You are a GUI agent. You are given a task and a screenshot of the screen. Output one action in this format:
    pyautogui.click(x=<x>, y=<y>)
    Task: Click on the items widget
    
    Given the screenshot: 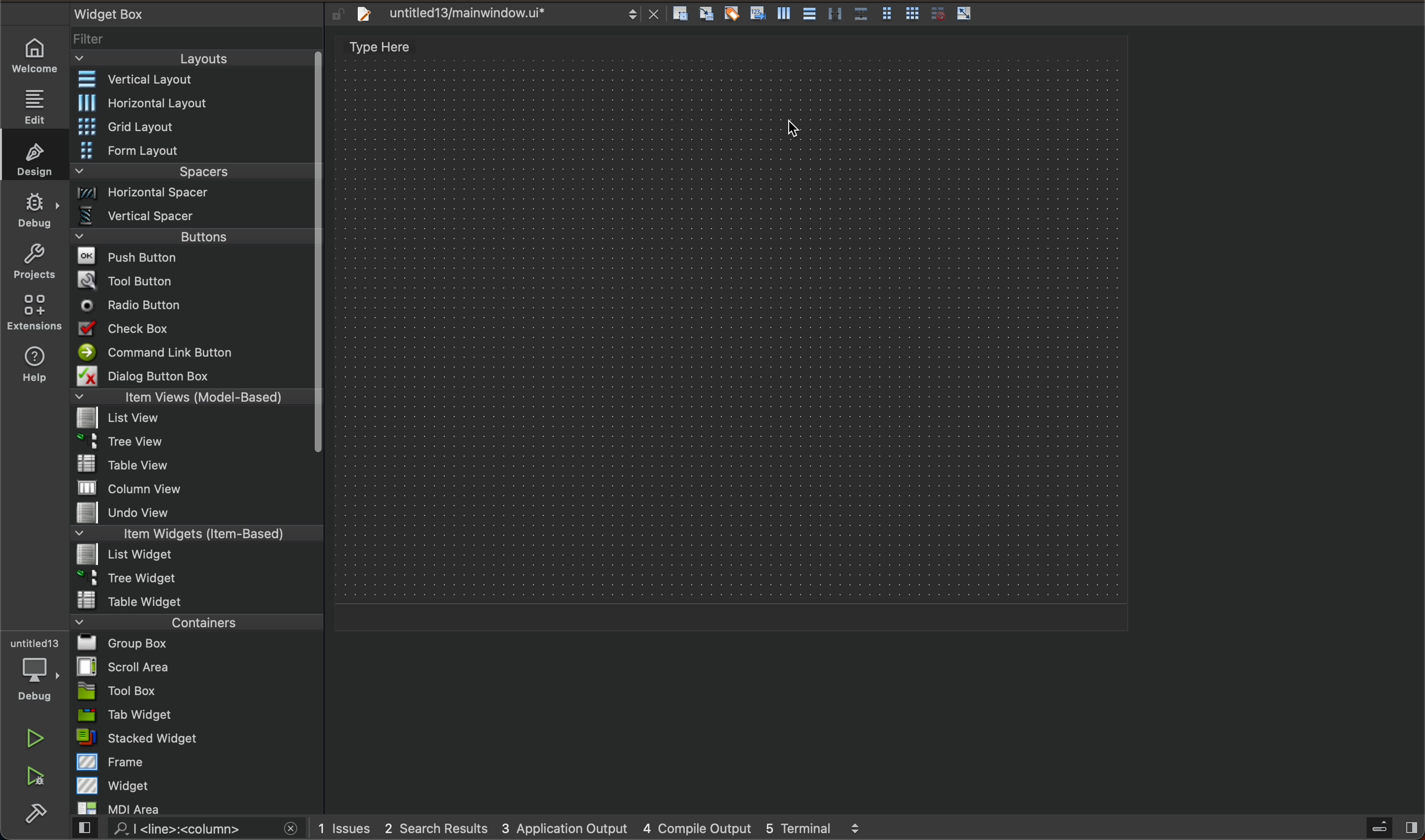 What is the action you would take?
    pyautogui.click(x=192, y=534)
    